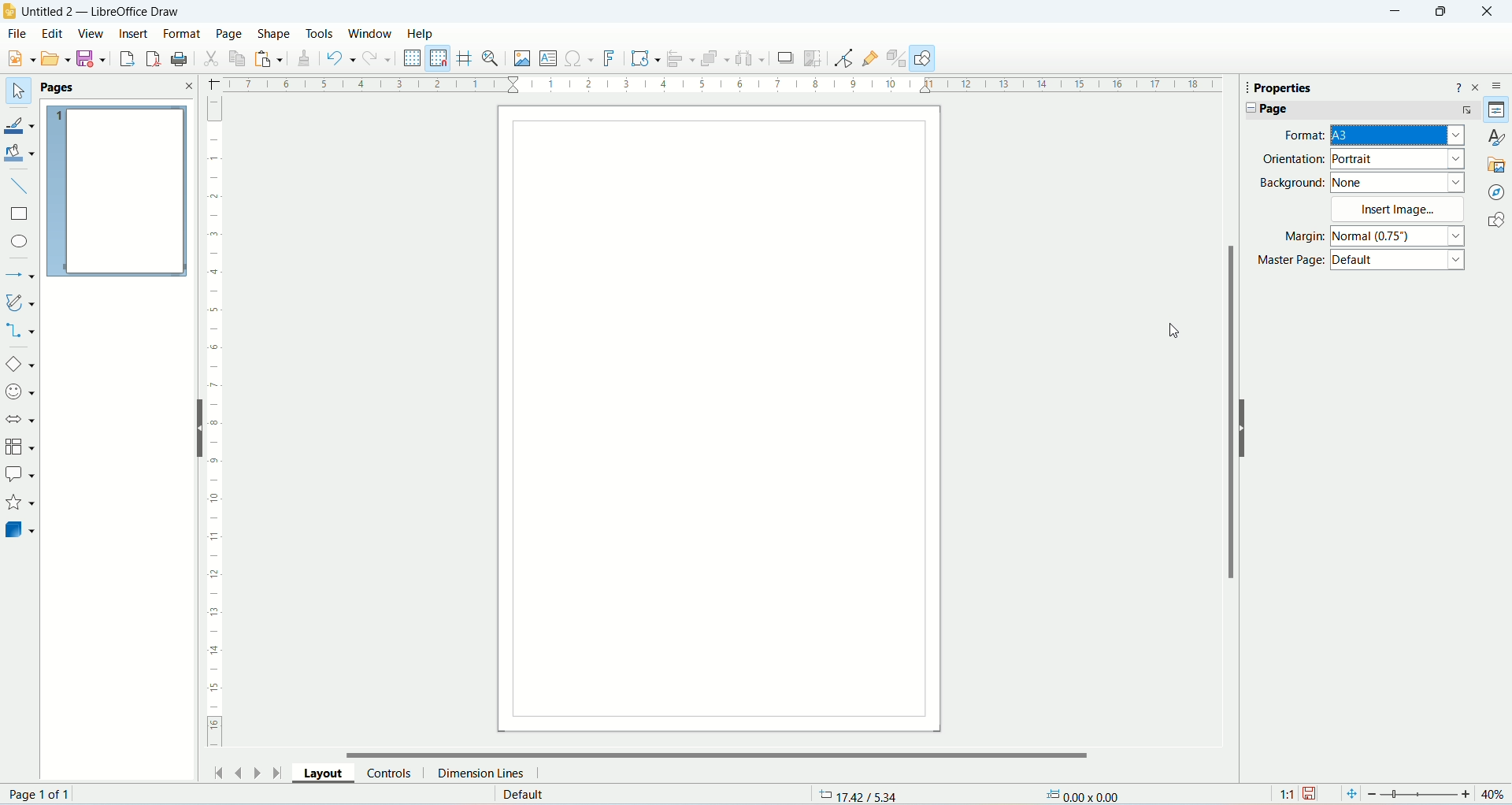 This screenshot has width=1512, height=805. What do you see at coordinates (439, 57) in the screenshot?
I see `snap to grid` at bounding box center [439, 57].